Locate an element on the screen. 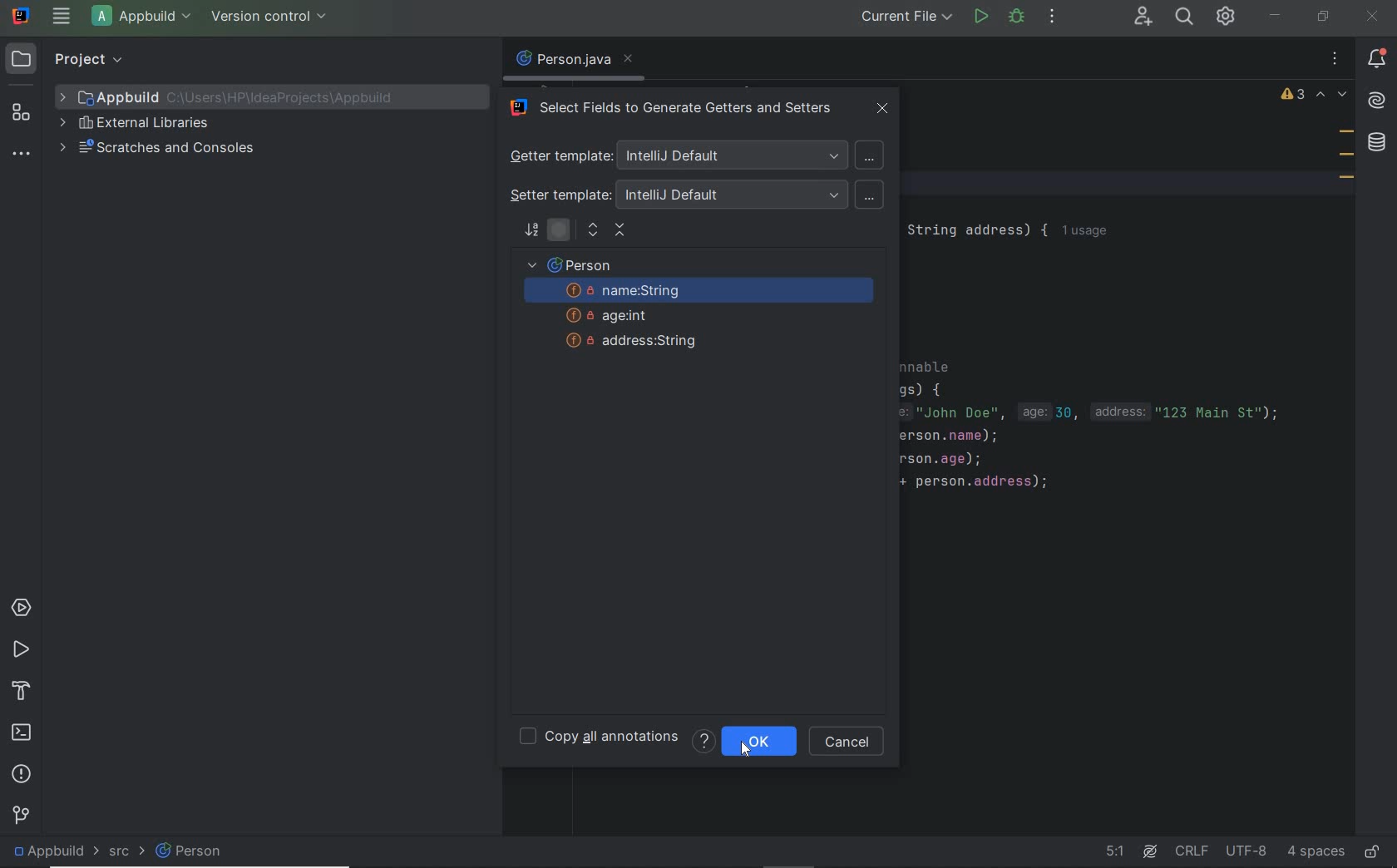 The width and height of the screenshot is (1397, 868). close is located at coordinates (885, 108).